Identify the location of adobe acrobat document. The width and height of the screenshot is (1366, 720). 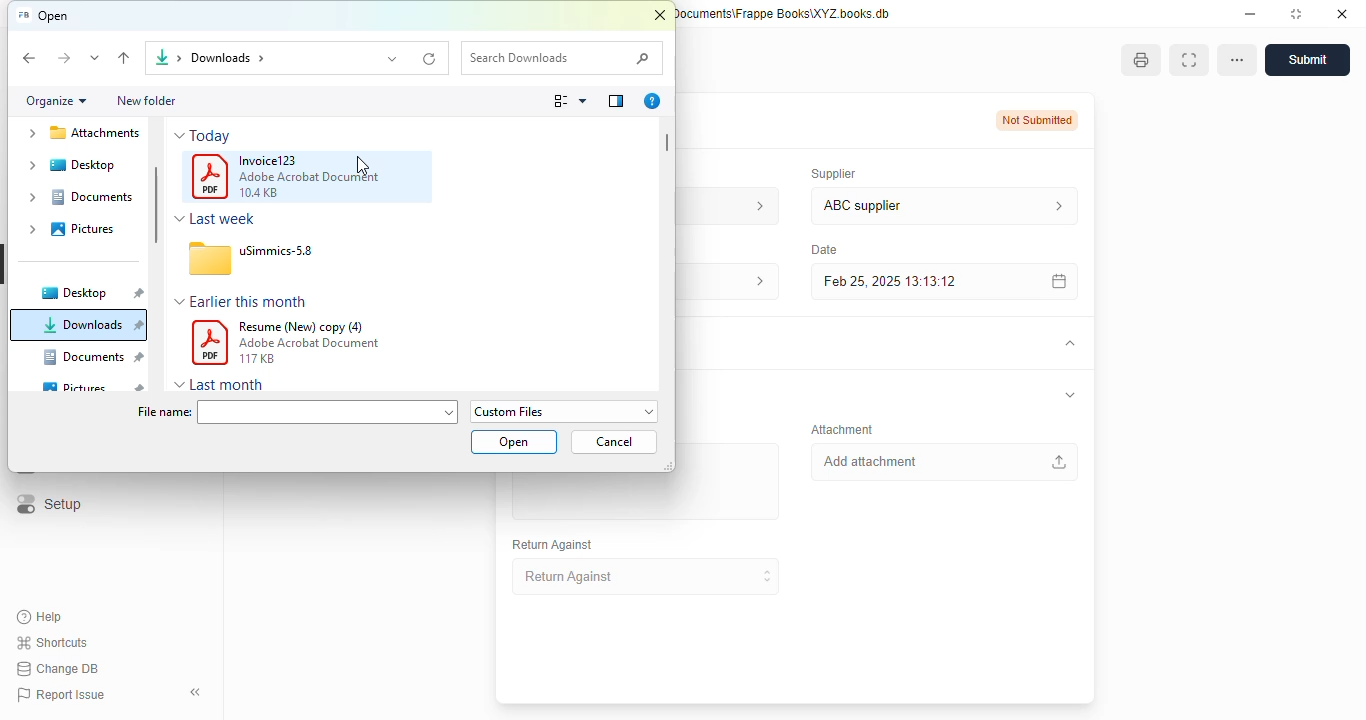
(310, 343).